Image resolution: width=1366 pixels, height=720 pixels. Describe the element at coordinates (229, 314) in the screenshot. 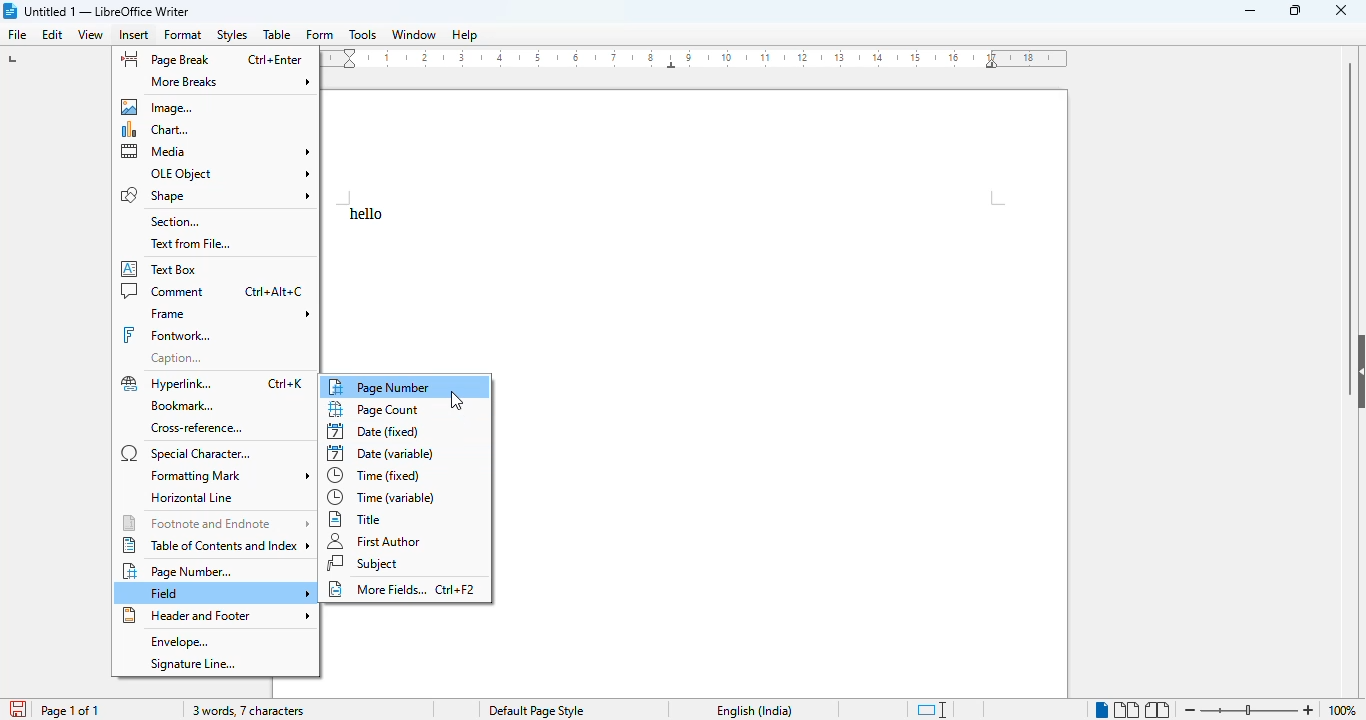

I see `frame` at that location.